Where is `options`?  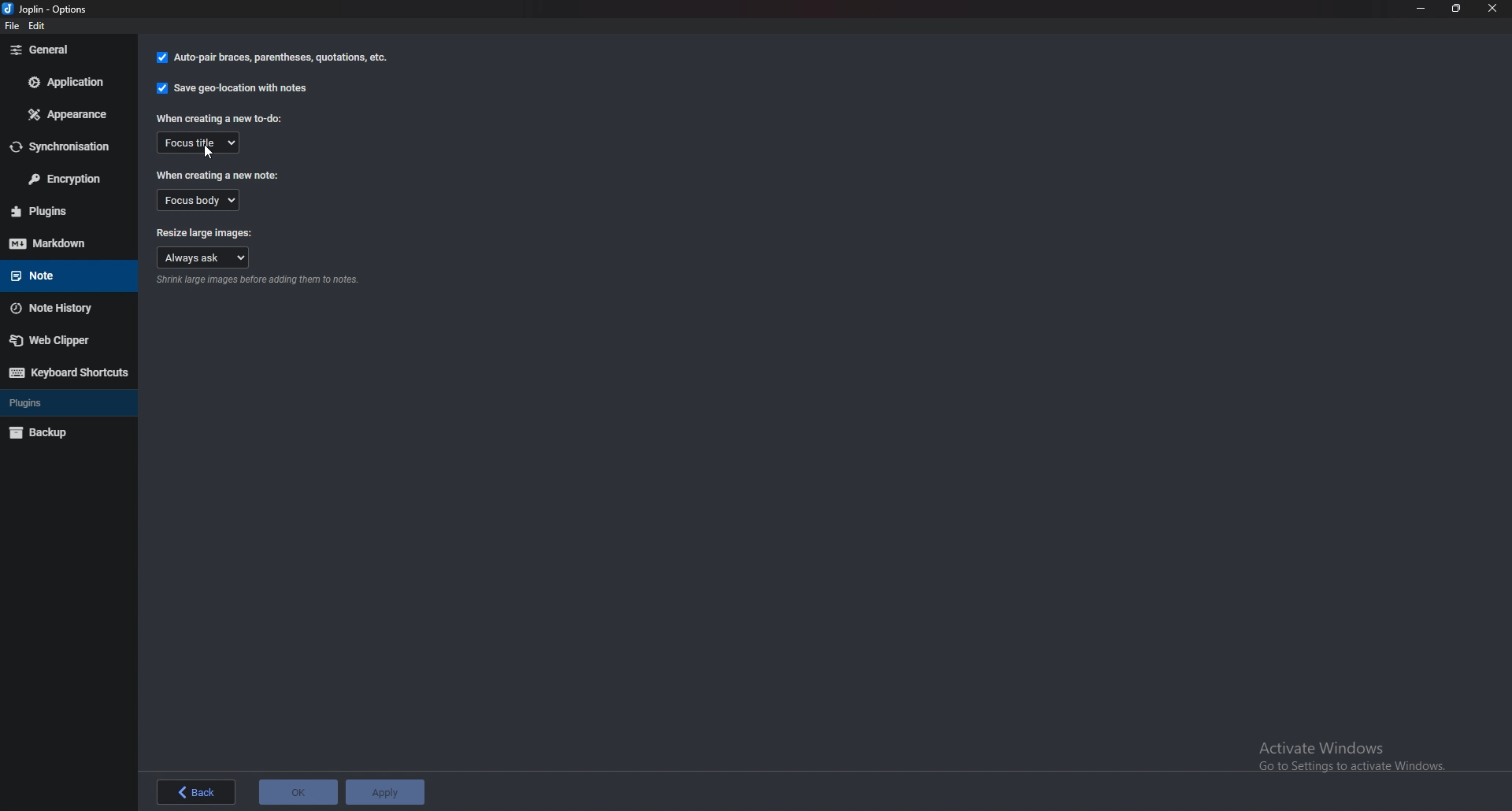
options is located at coordinates (52, 9).